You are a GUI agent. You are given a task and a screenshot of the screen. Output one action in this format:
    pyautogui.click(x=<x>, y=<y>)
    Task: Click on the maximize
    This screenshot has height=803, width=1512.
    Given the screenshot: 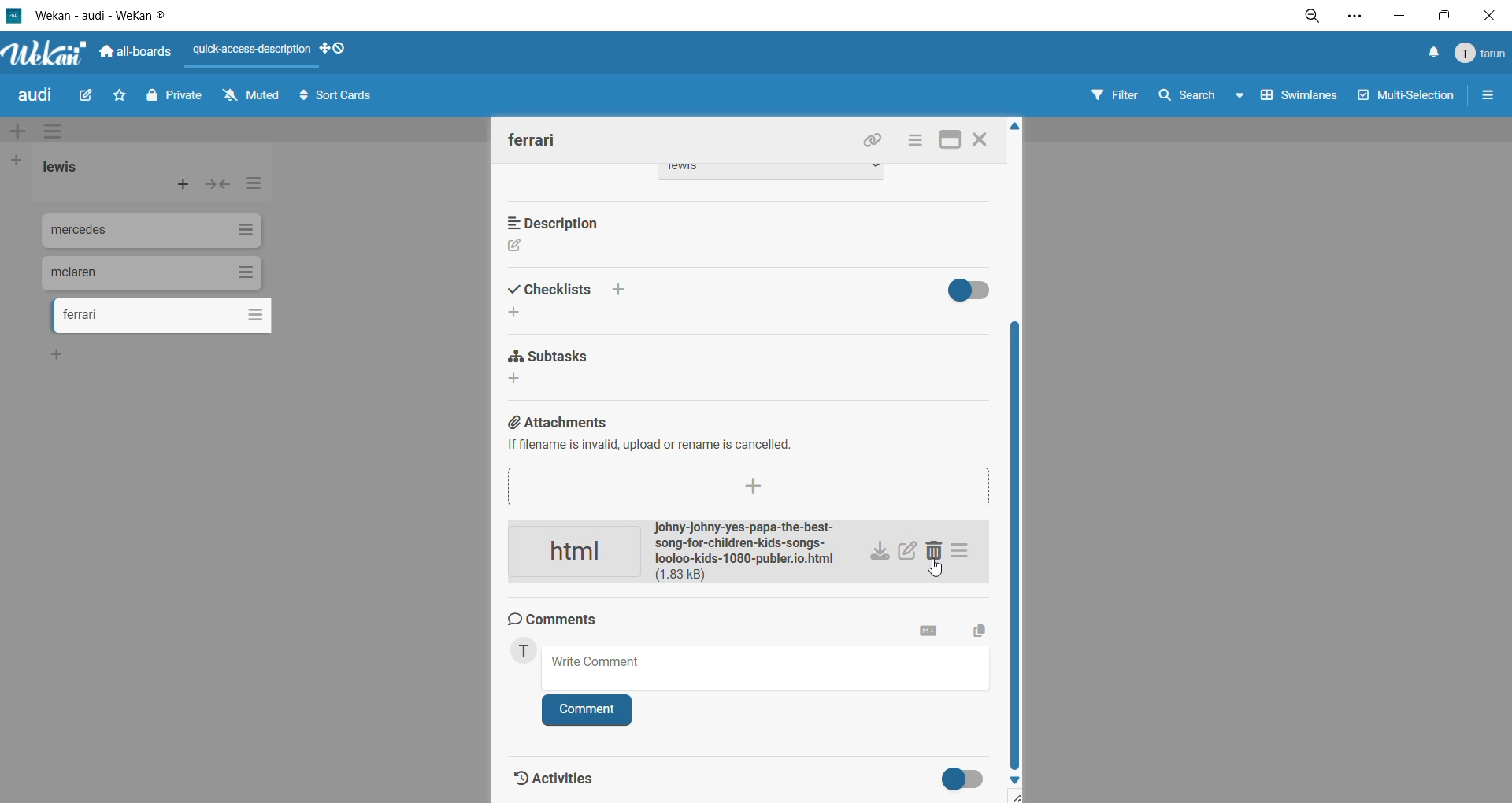 What is the action you would take?
    pyautogui.click(x=950, y=141)
    